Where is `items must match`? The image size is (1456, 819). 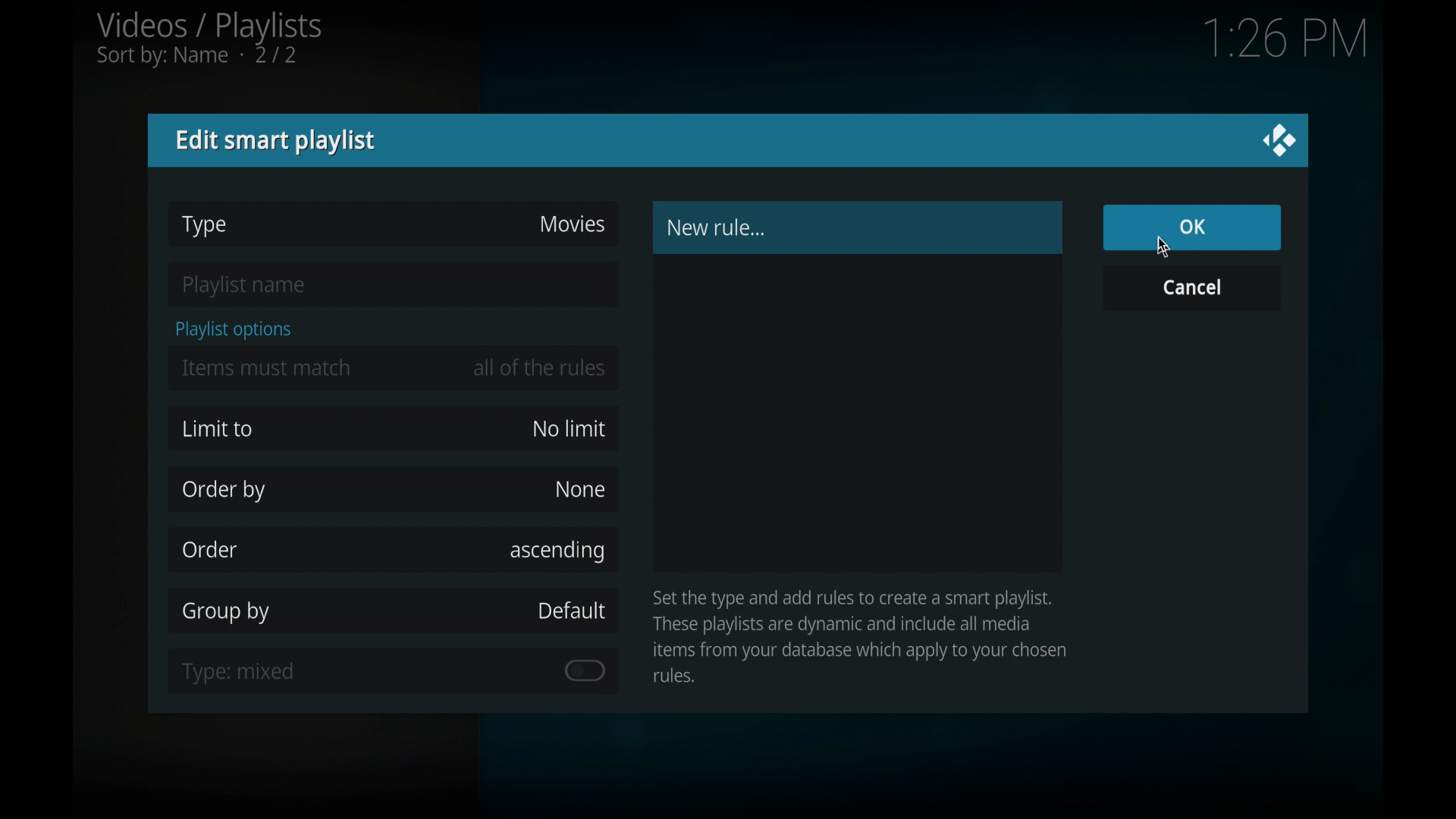 items must match is located at coordinates (268, 368).